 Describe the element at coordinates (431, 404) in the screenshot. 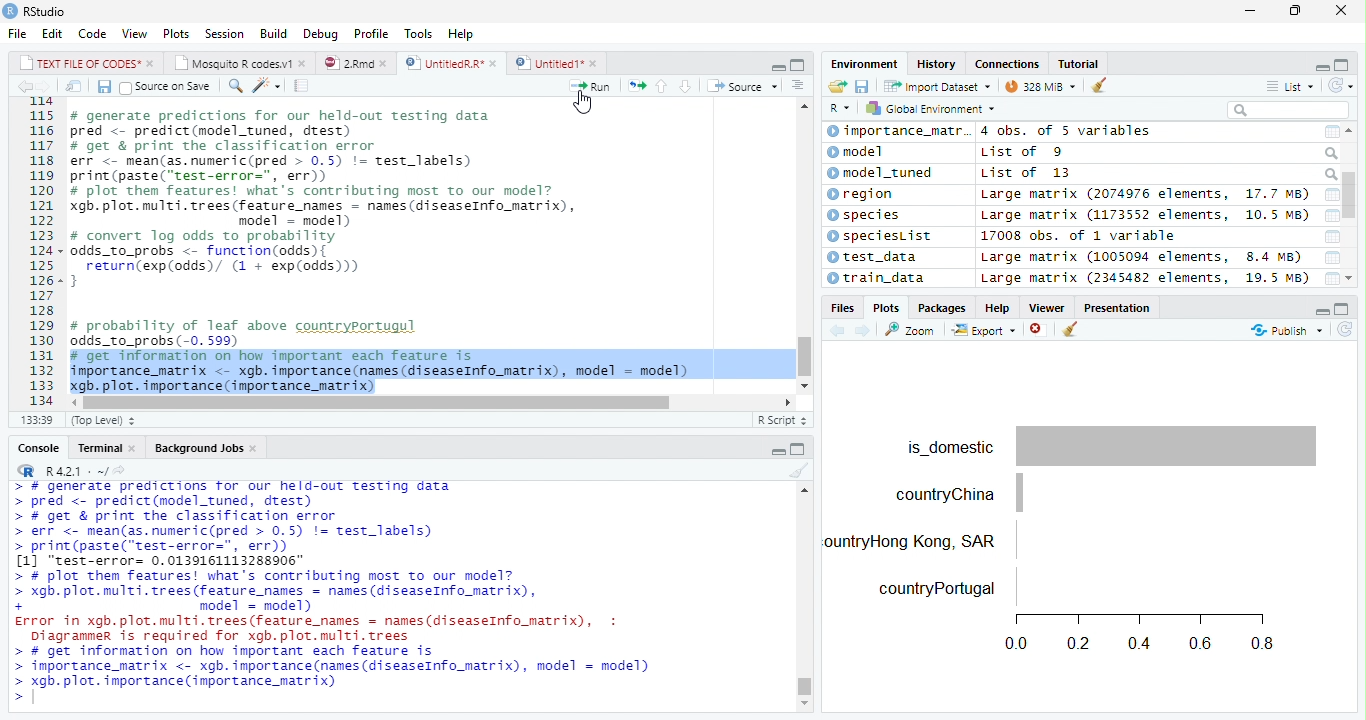

I see `Scroll` at that location.